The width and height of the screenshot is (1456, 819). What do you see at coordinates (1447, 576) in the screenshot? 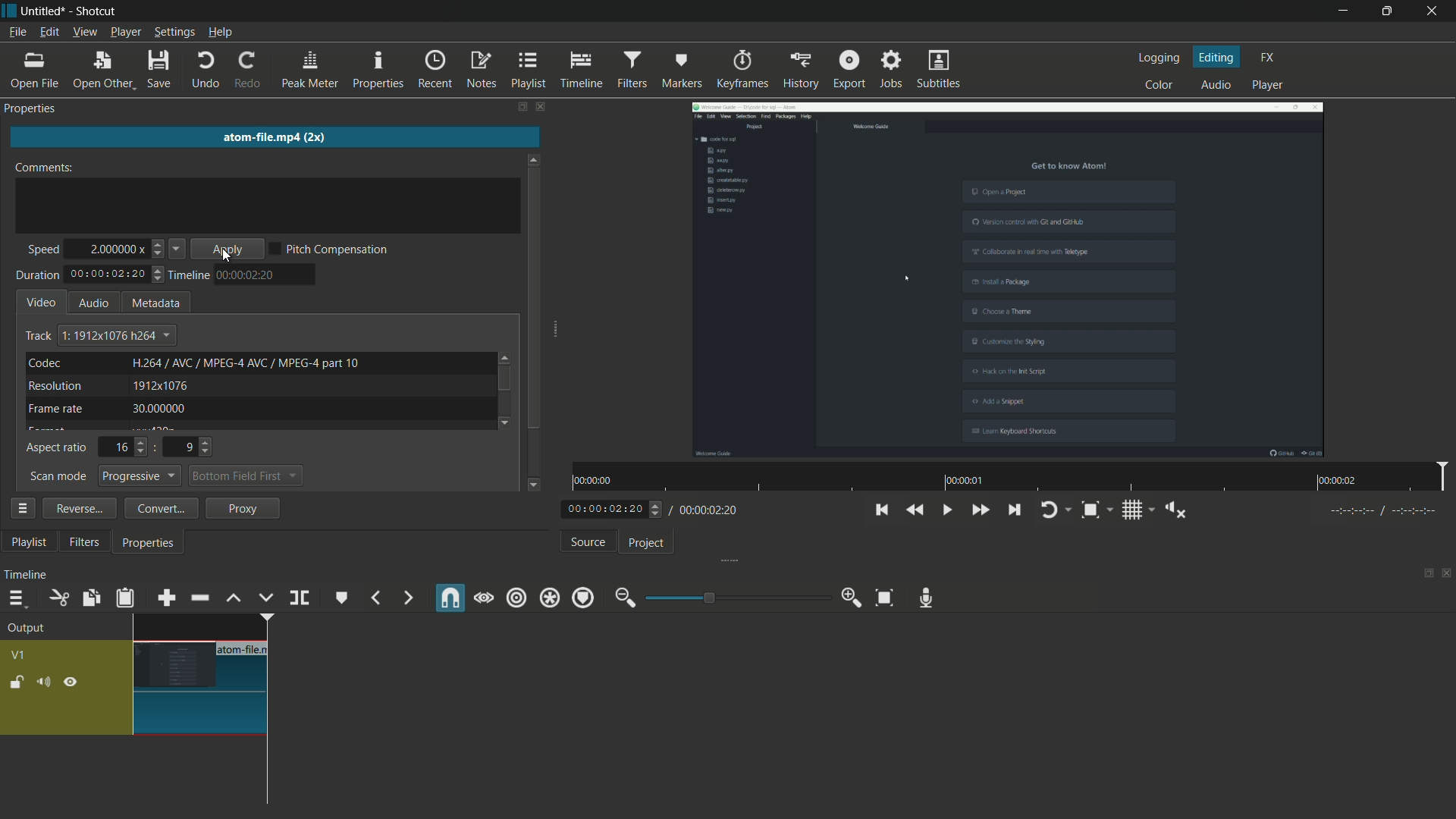
I see `close timeline` at bounding box center [1447, 576].